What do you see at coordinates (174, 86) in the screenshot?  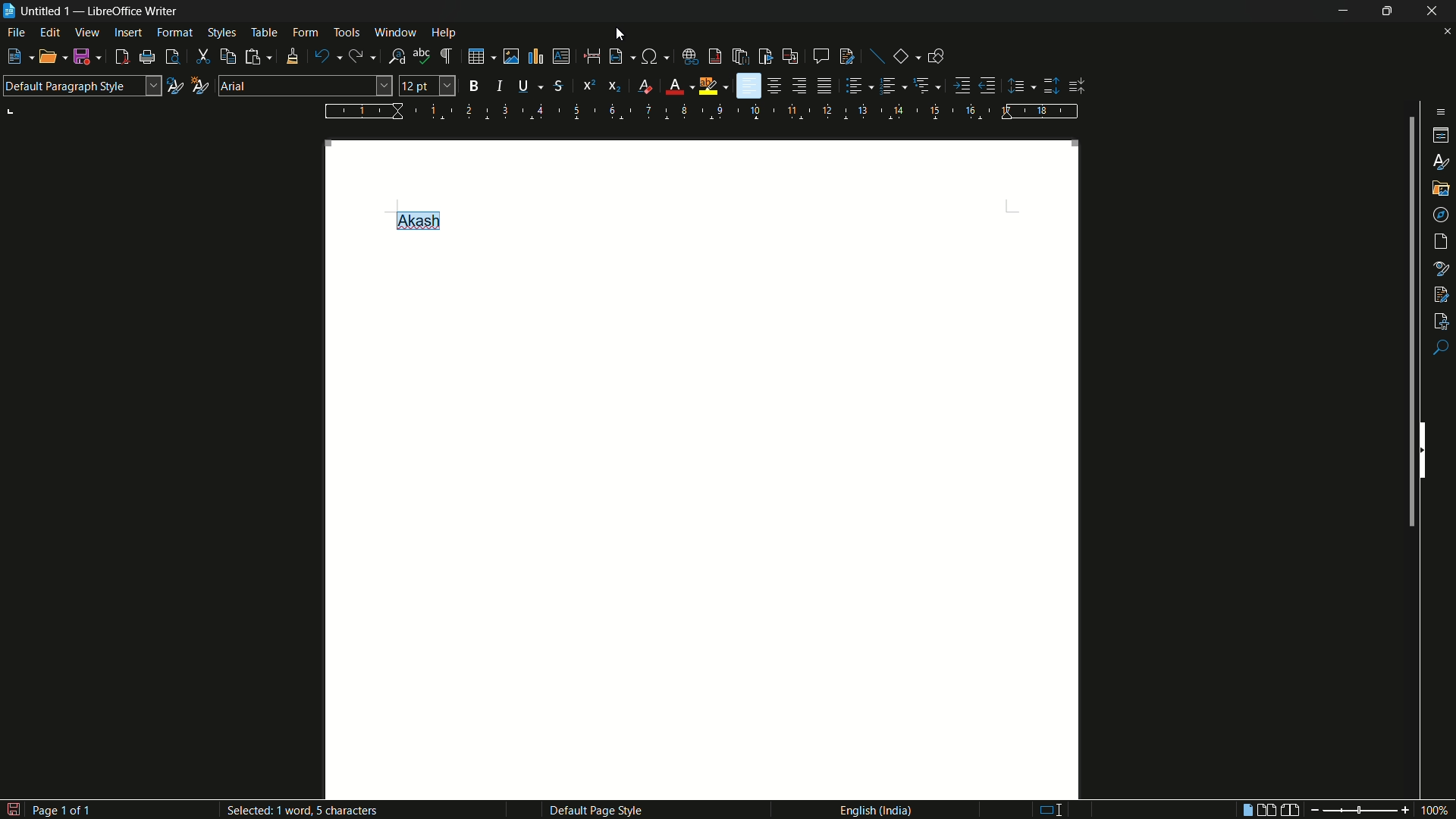 I see `update selected style` at bounding box center [174, 86].